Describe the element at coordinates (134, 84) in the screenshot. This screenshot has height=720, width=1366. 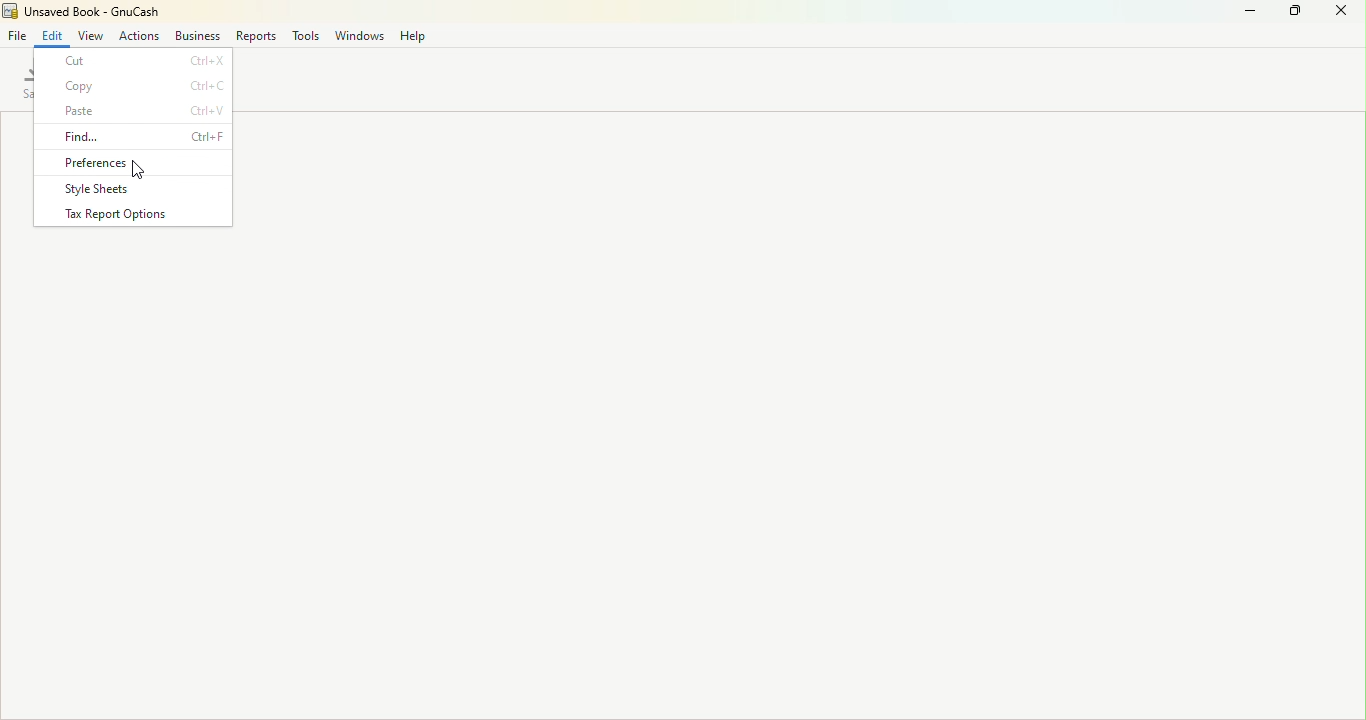
I see `Copy Ctrl+C` at that location.